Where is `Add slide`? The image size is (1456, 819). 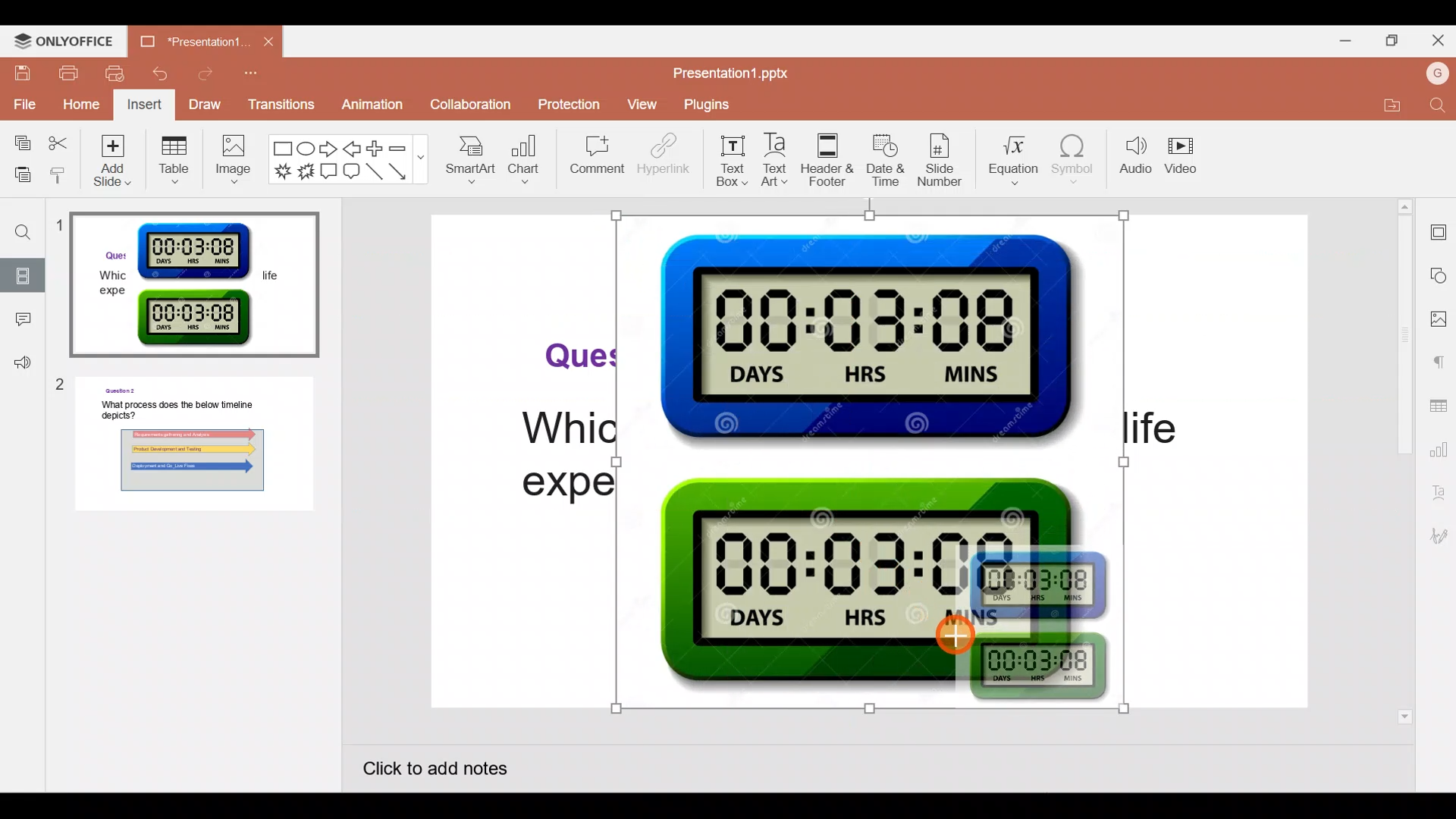 Add slide is located at coordinates (115, 165).